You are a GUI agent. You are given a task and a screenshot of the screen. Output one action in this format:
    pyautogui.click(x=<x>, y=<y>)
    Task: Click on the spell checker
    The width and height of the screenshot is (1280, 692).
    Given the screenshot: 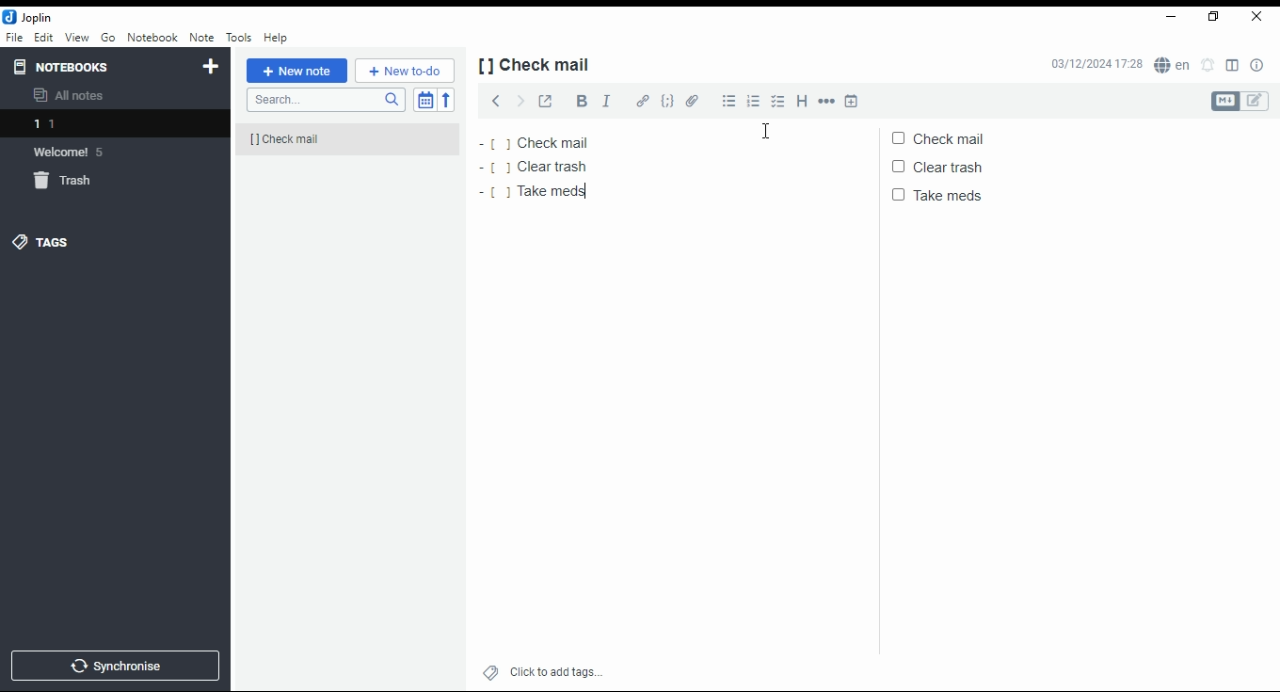 What is the action you would take?
    pyautogui.click(x=1175, y=67)
    